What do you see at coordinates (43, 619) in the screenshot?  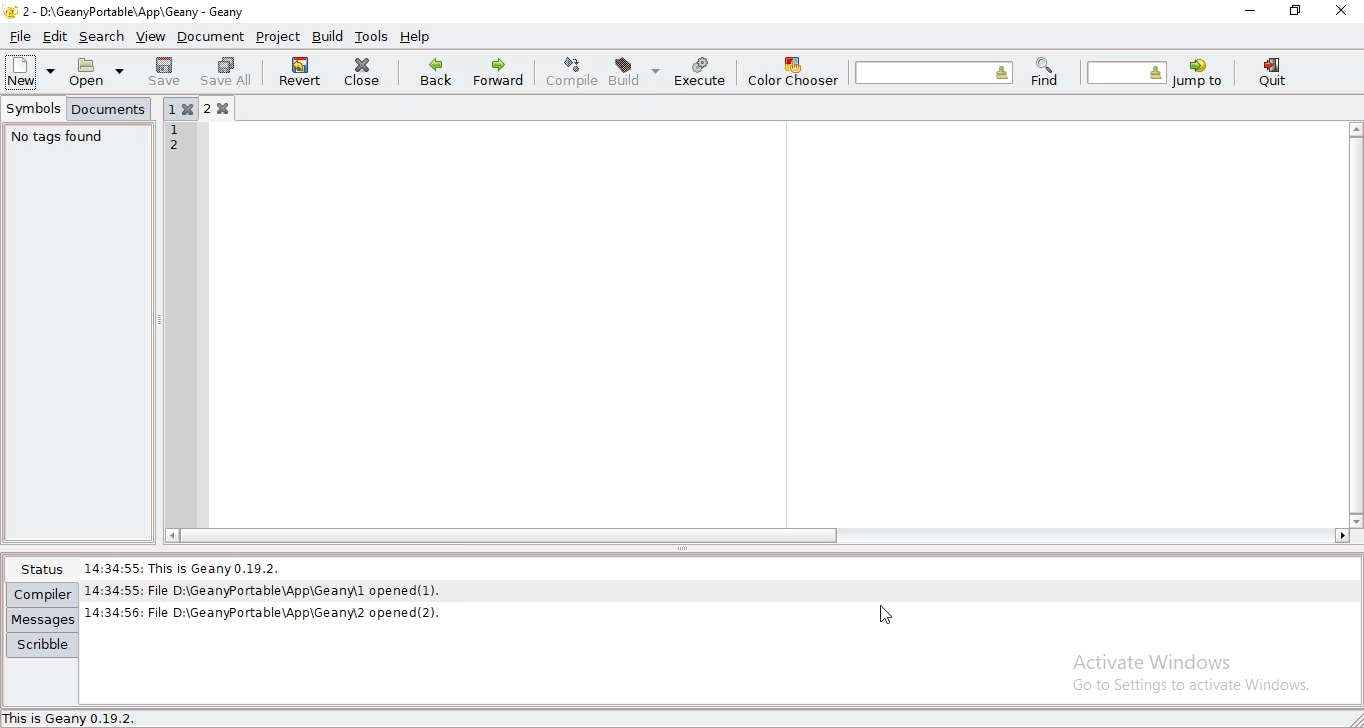 I see `messages` at bounding box center [43, 619].